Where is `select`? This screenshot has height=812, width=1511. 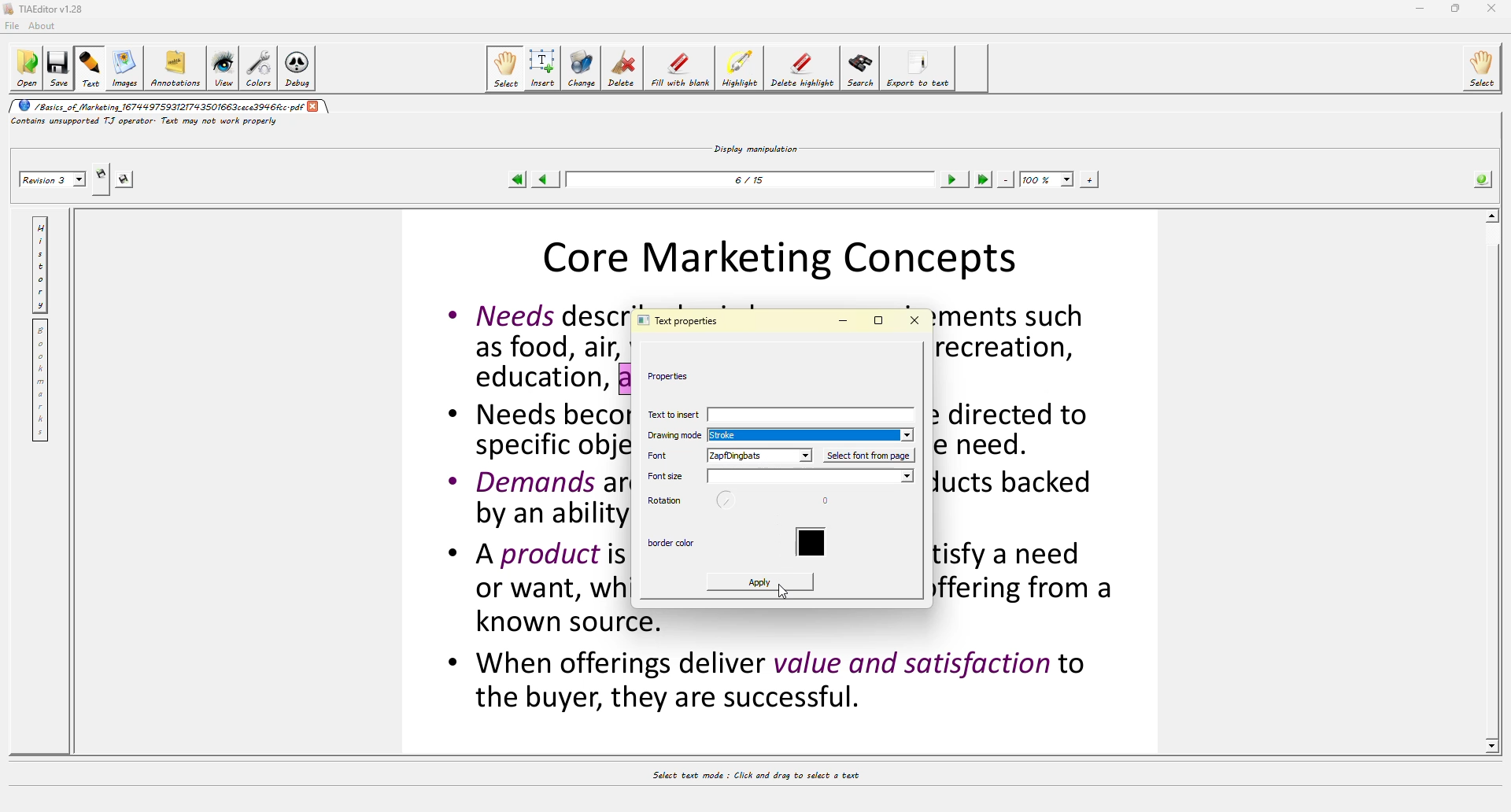
select is located at coordinates (1486, 66).